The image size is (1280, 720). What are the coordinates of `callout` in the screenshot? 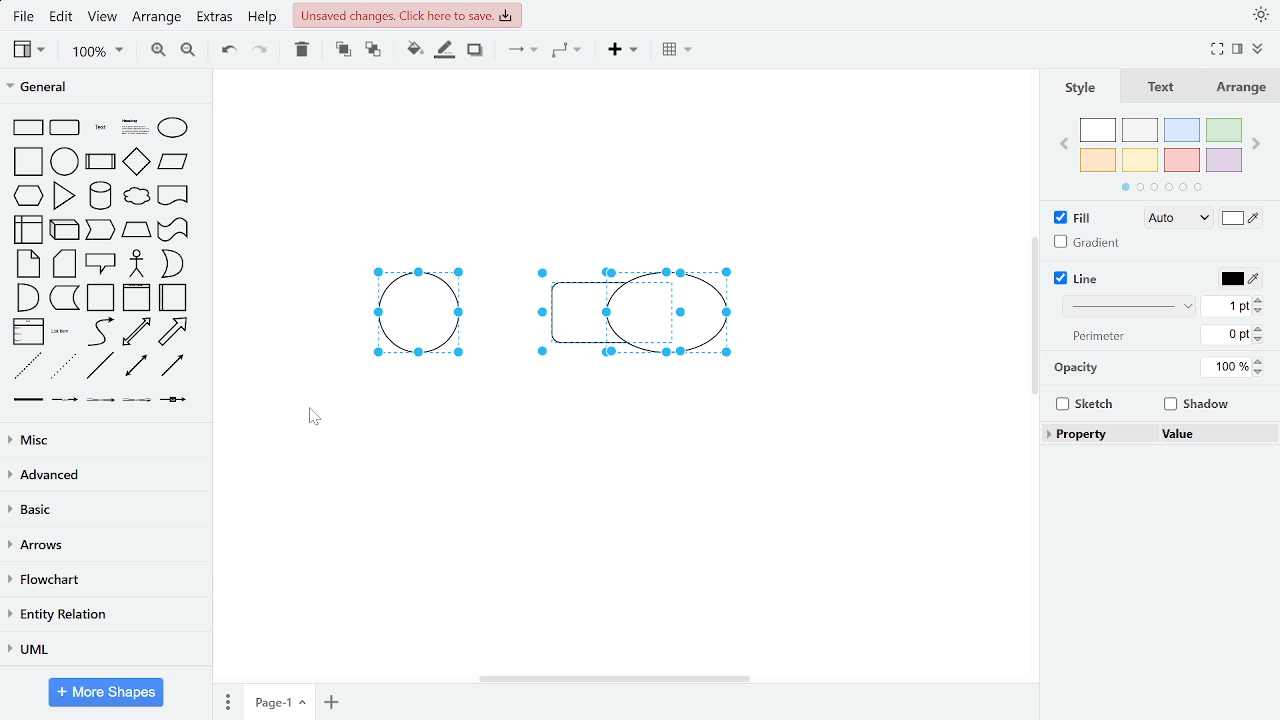 It's located at (101, 263).